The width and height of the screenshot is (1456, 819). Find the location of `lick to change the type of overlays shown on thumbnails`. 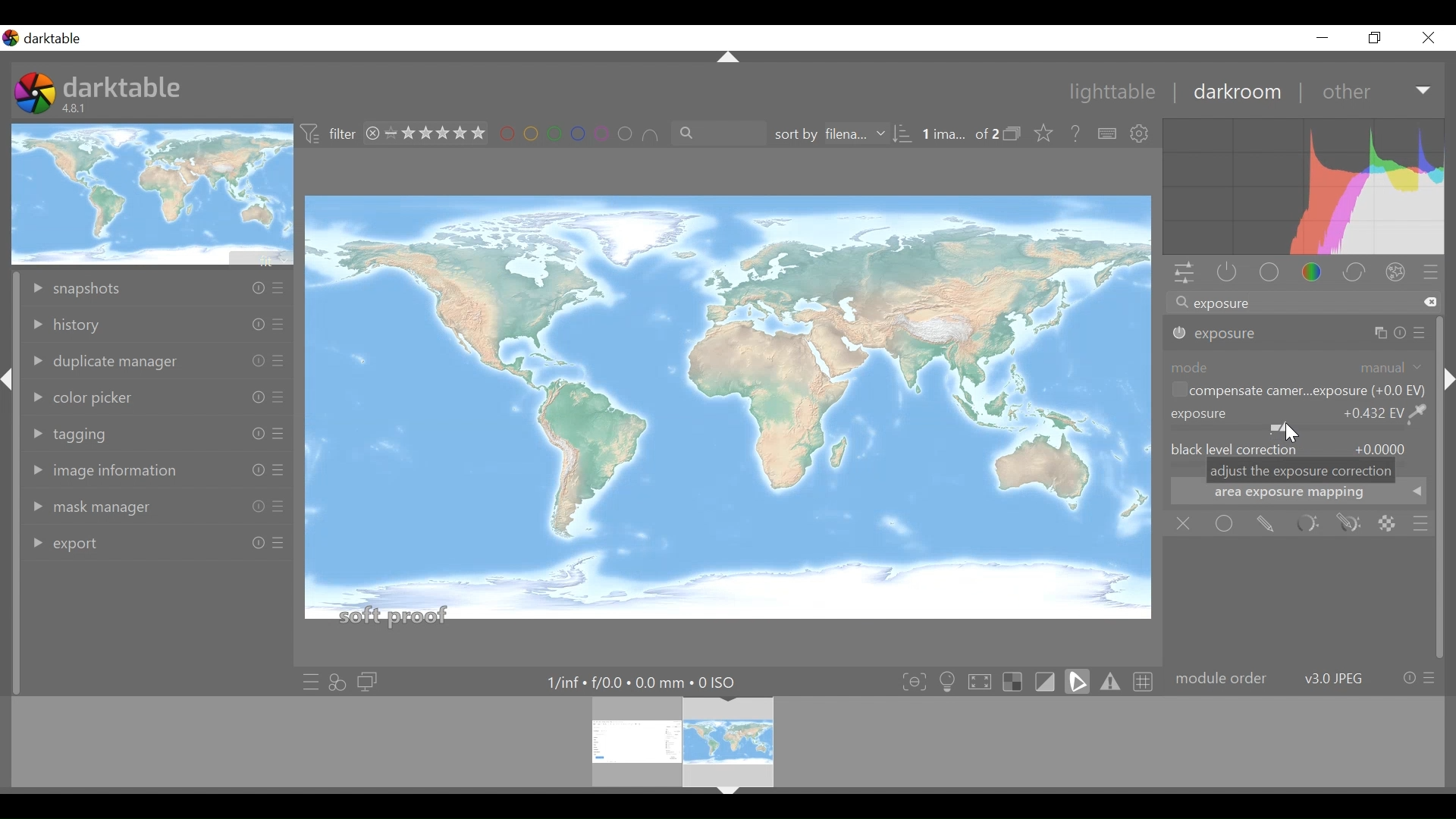

lick to change the type of overlays shown on thumbnails is located at coordinates (1045, 134).